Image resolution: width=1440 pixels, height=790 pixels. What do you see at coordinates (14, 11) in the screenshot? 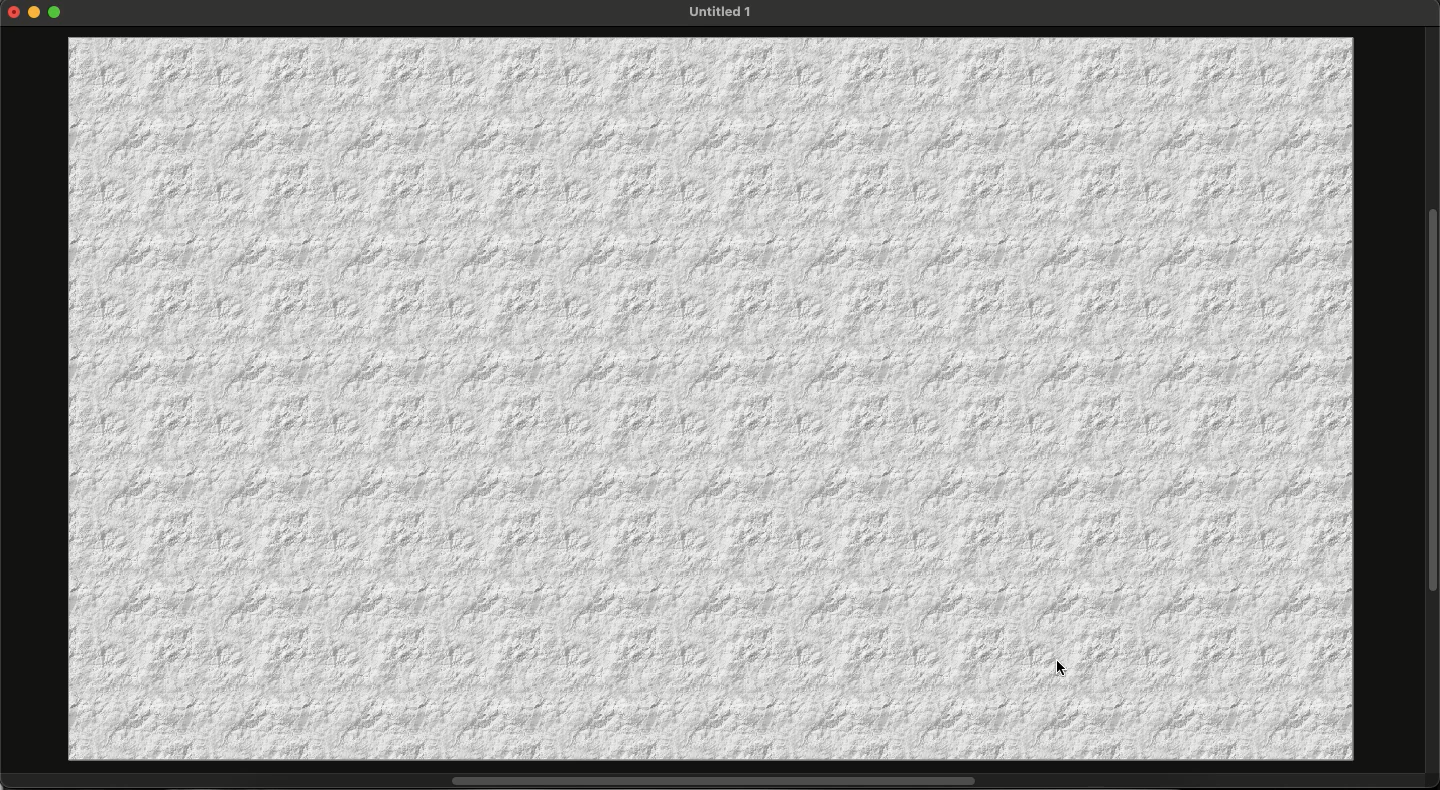
I see `Close` at bounding box center [14, 11].